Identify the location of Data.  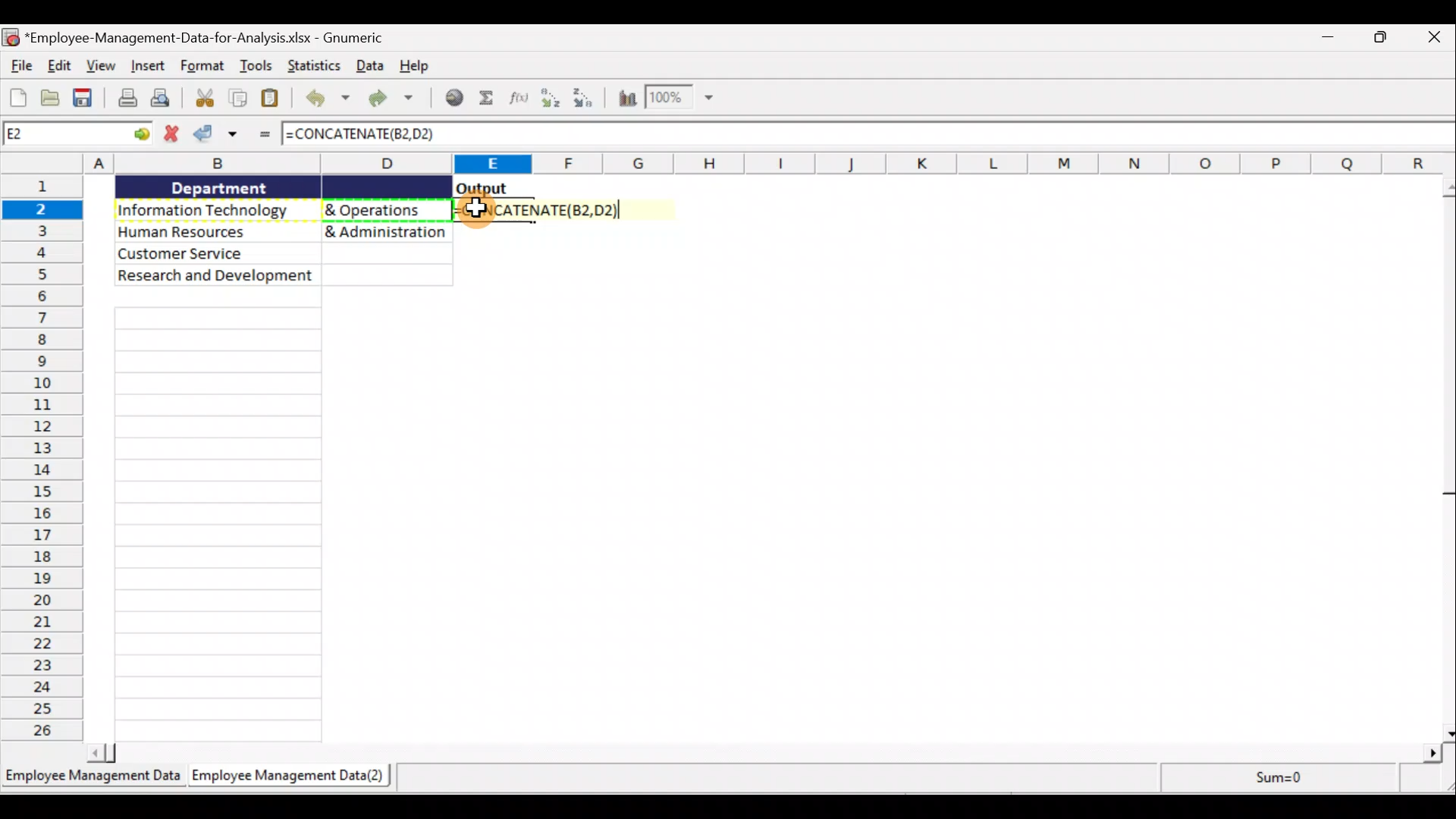
(283, 231).